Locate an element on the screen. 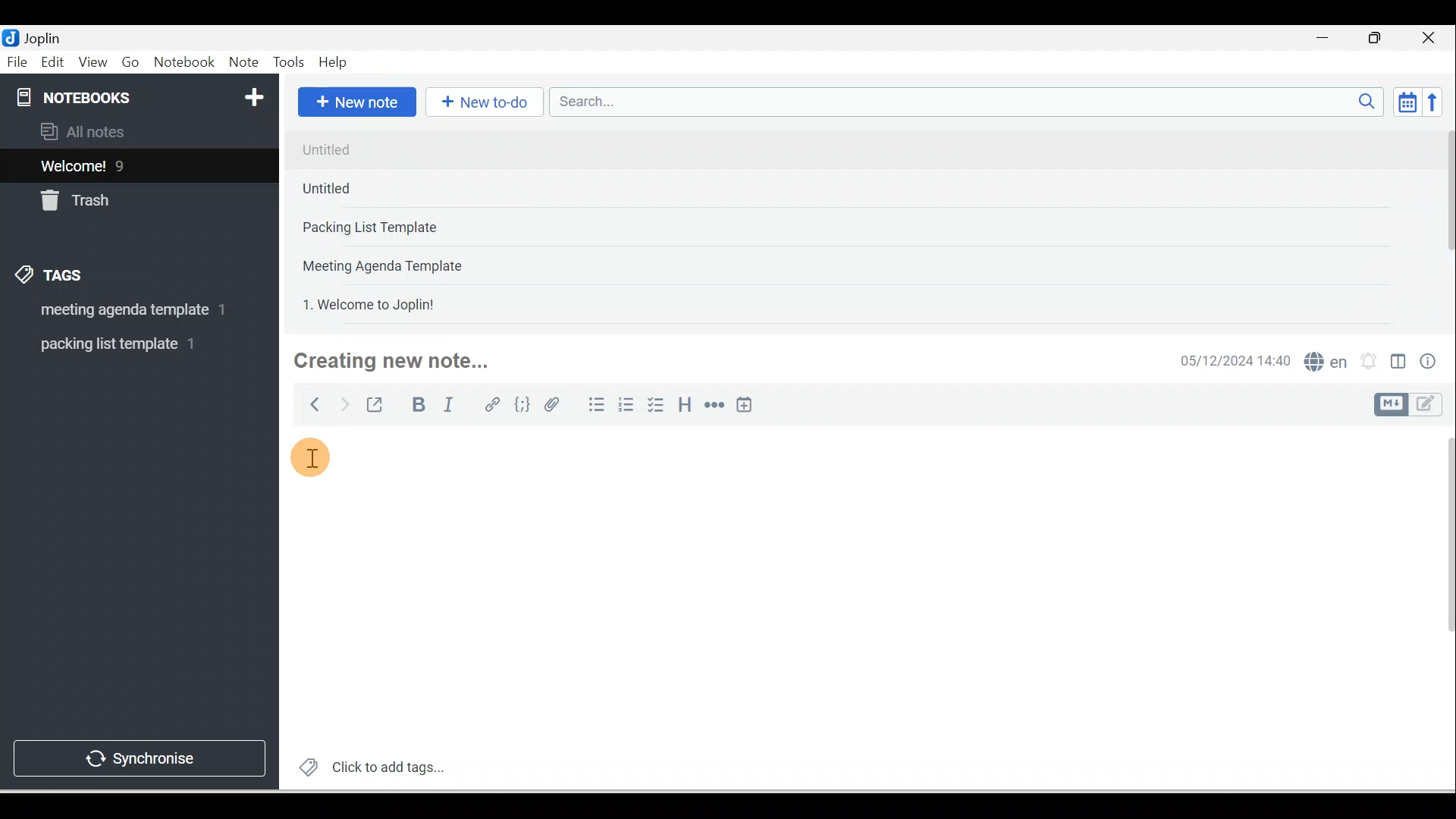 This screenshot has height=819, width=1456. Scroll bar is located at coordinates (1439, 608).